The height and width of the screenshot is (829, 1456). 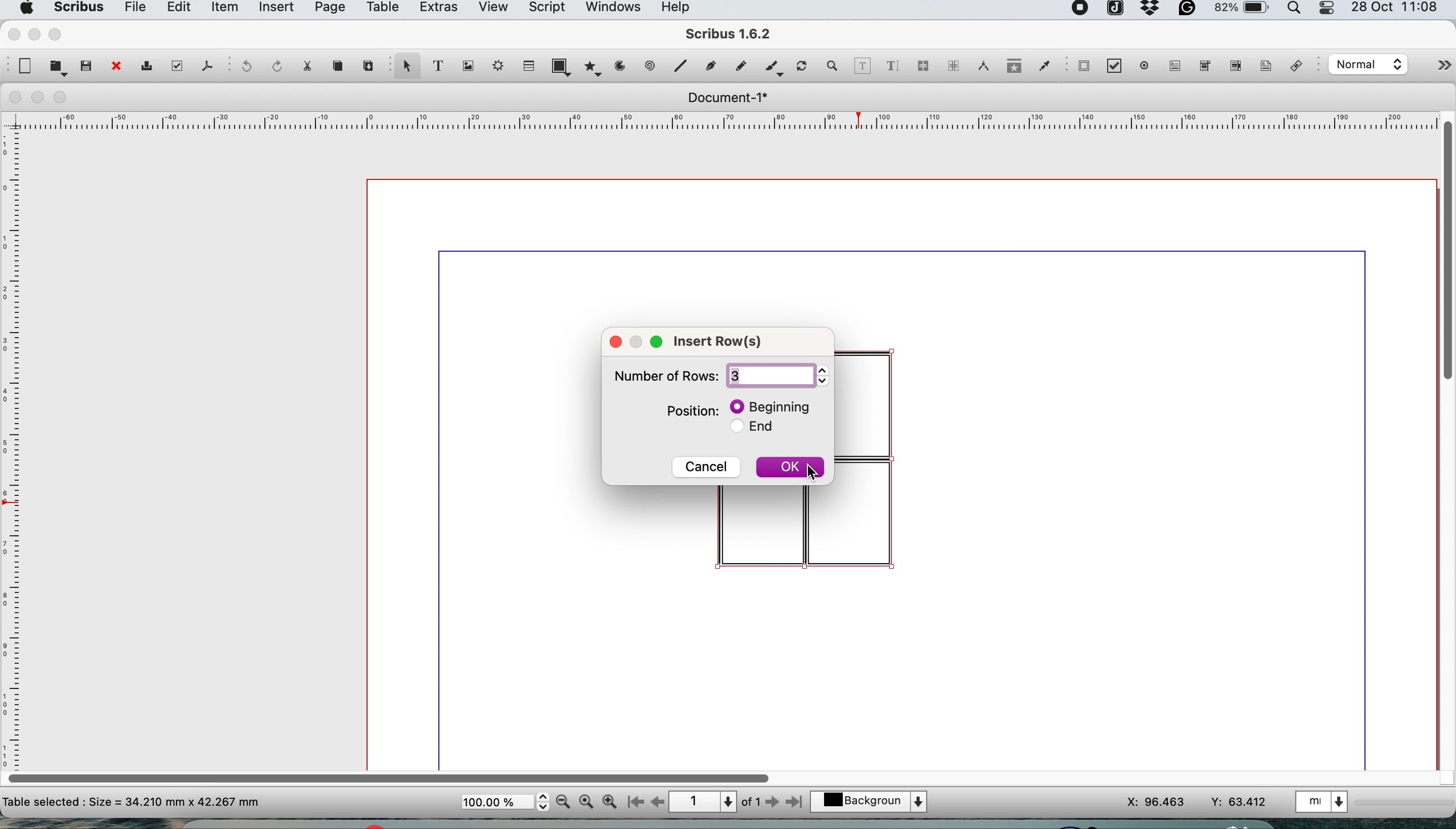 What do you see at coordinates (58, 67) in the screenshot?
I see `open` at bounding box center [58, 67].